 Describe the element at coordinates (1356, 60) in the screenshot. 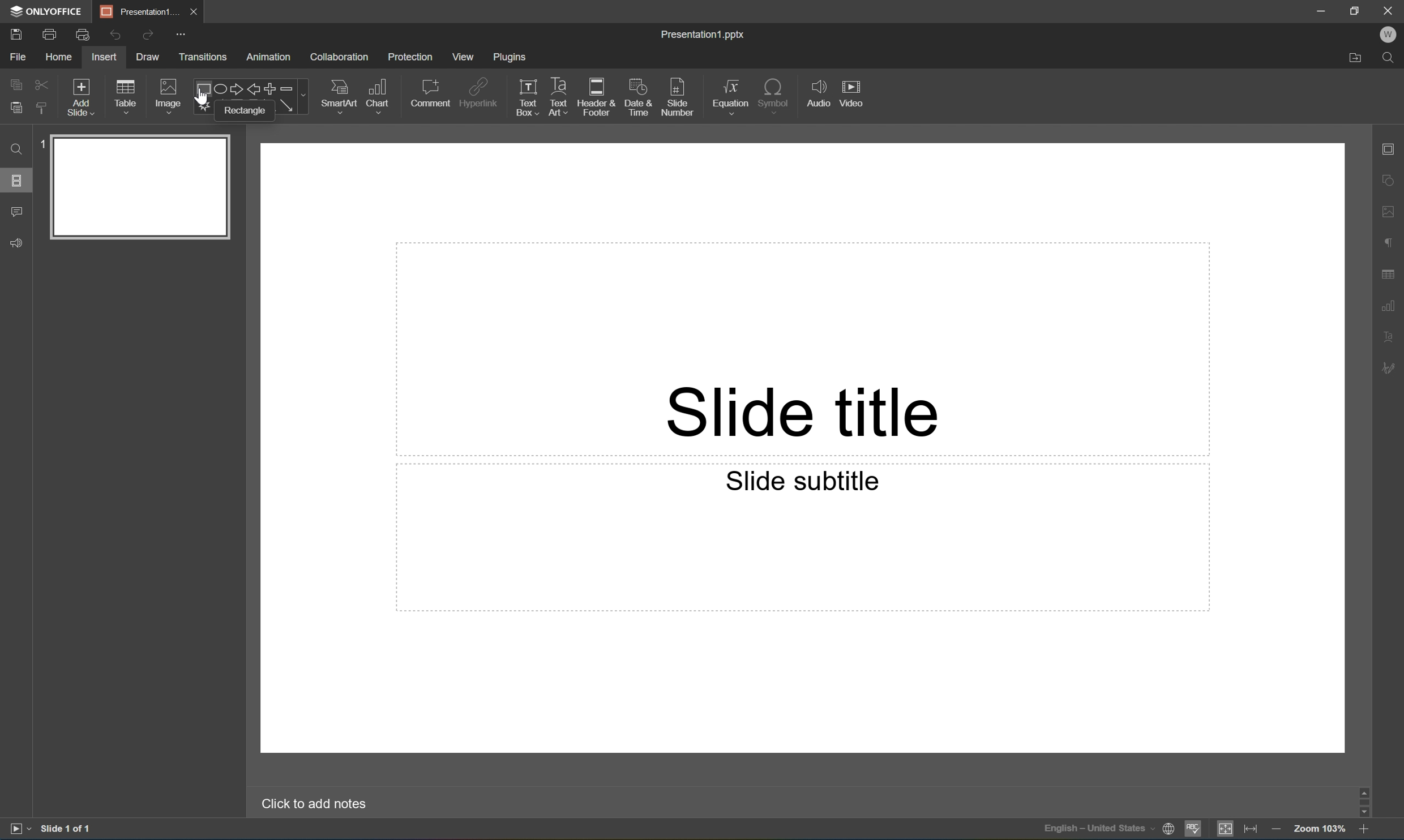

I see `Open file location` at that location.